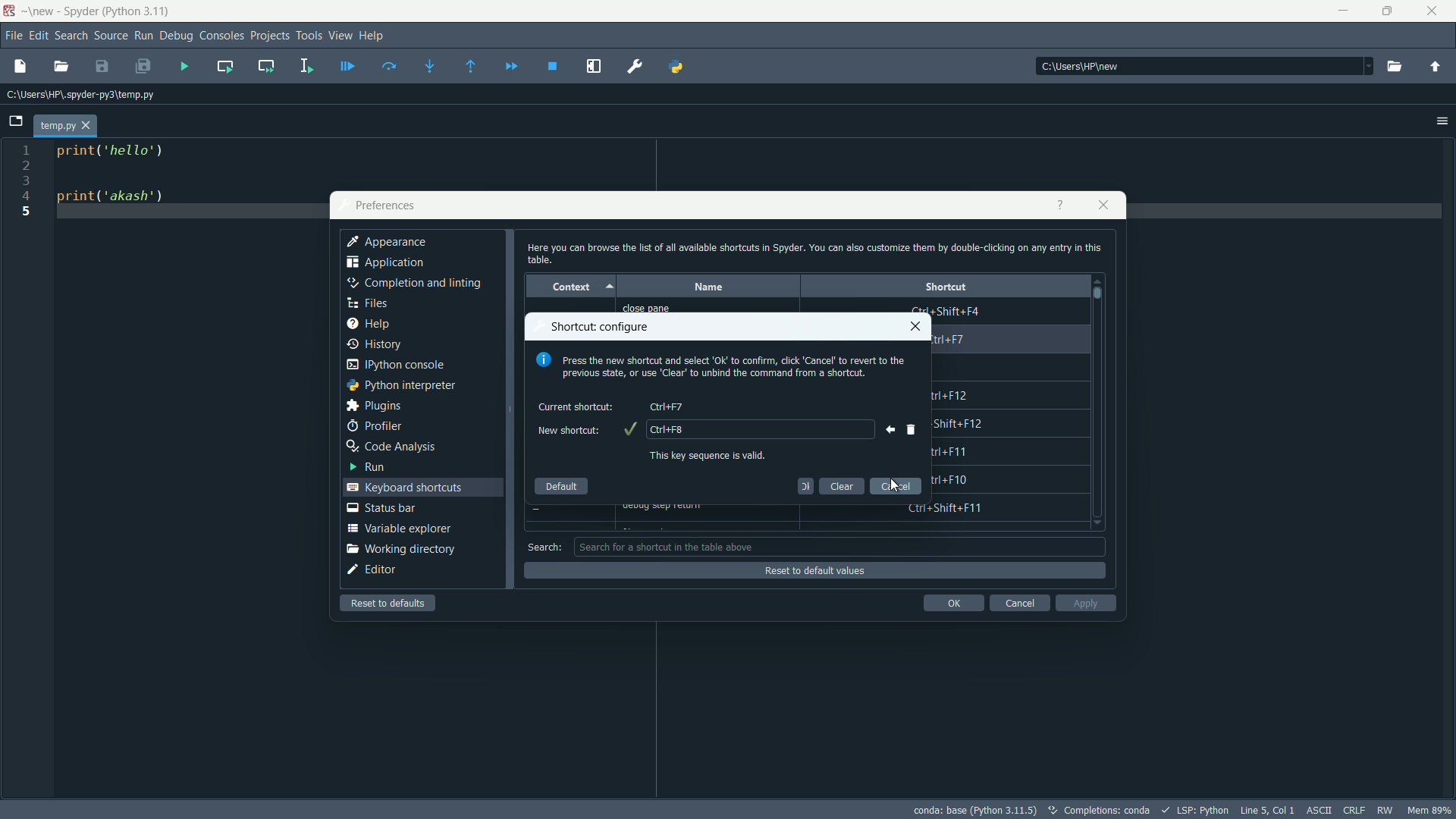  Describe the element at coordinates (389, 66) in the screenshot. I see `run current line` at that location.